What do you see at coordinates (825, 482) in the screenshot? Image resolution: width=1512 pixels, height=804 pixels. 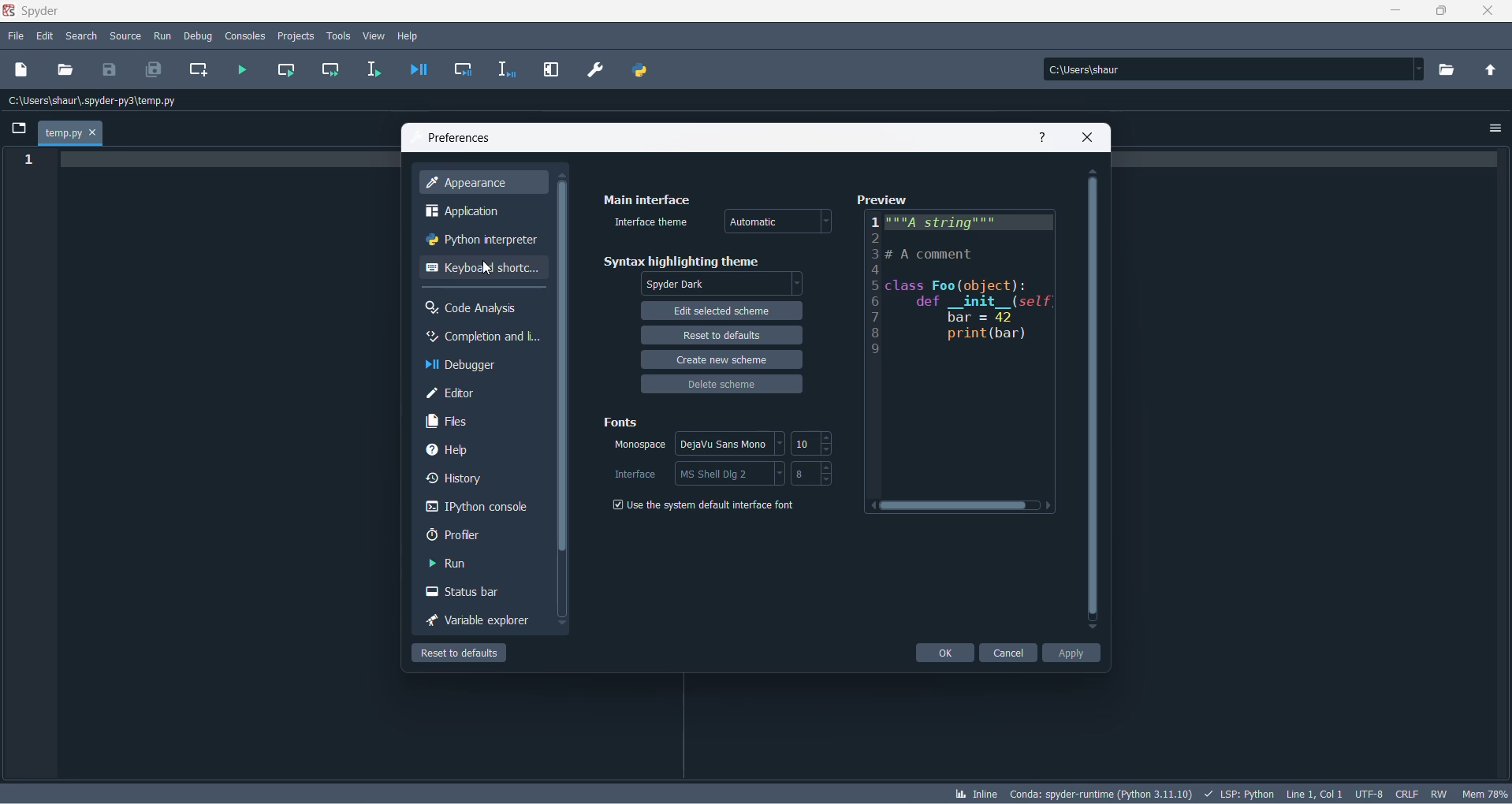 I see `decrement` at bounding box center [825, 482].